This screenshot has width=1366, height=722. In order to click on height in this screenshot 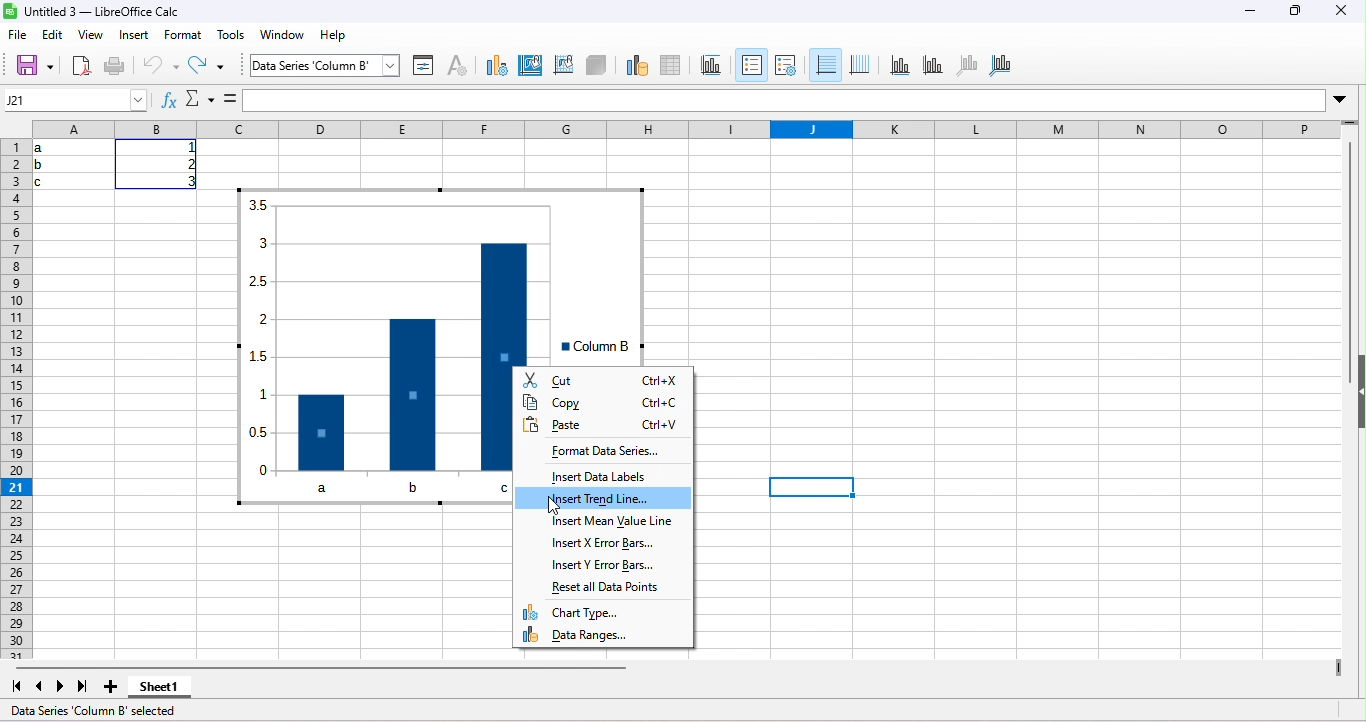, I will do `click(1357, 392)`.